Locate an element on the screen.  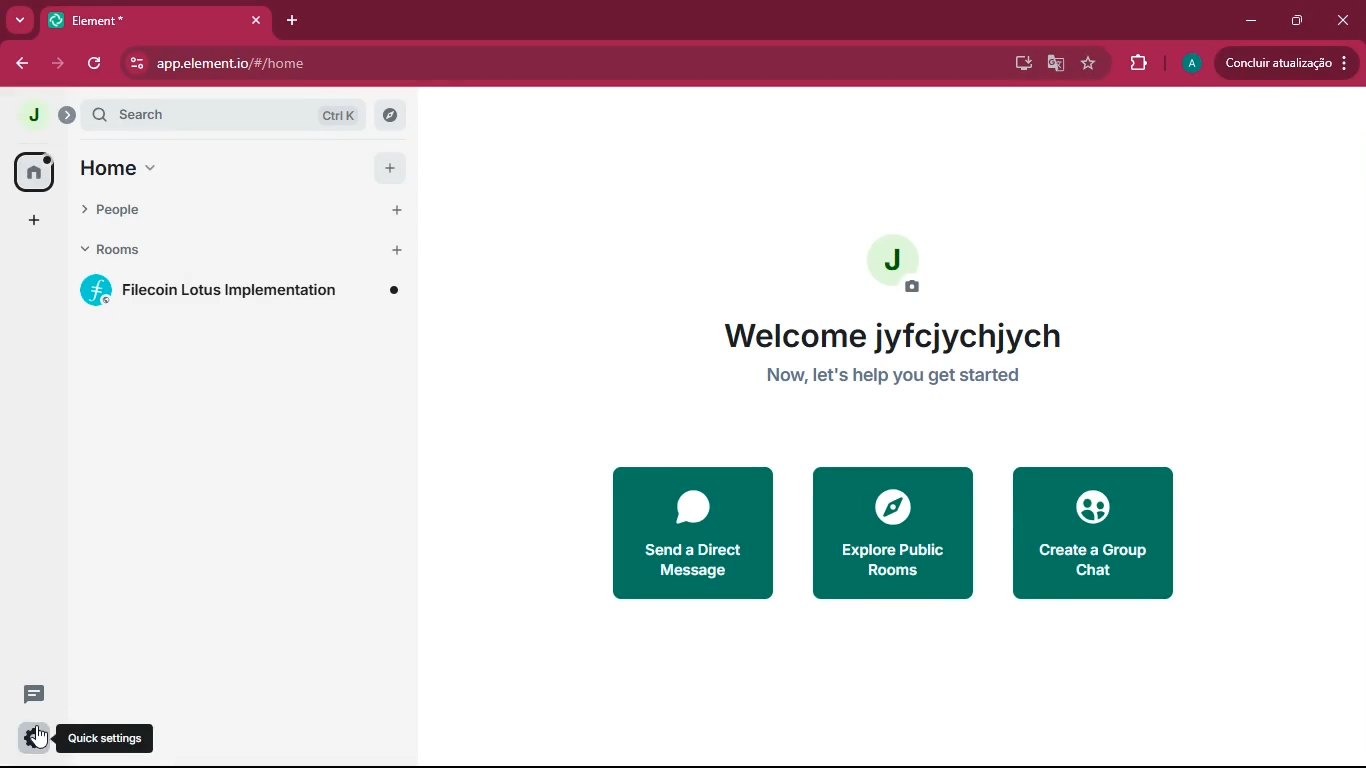
Add room is located at coordinates (396, 255).